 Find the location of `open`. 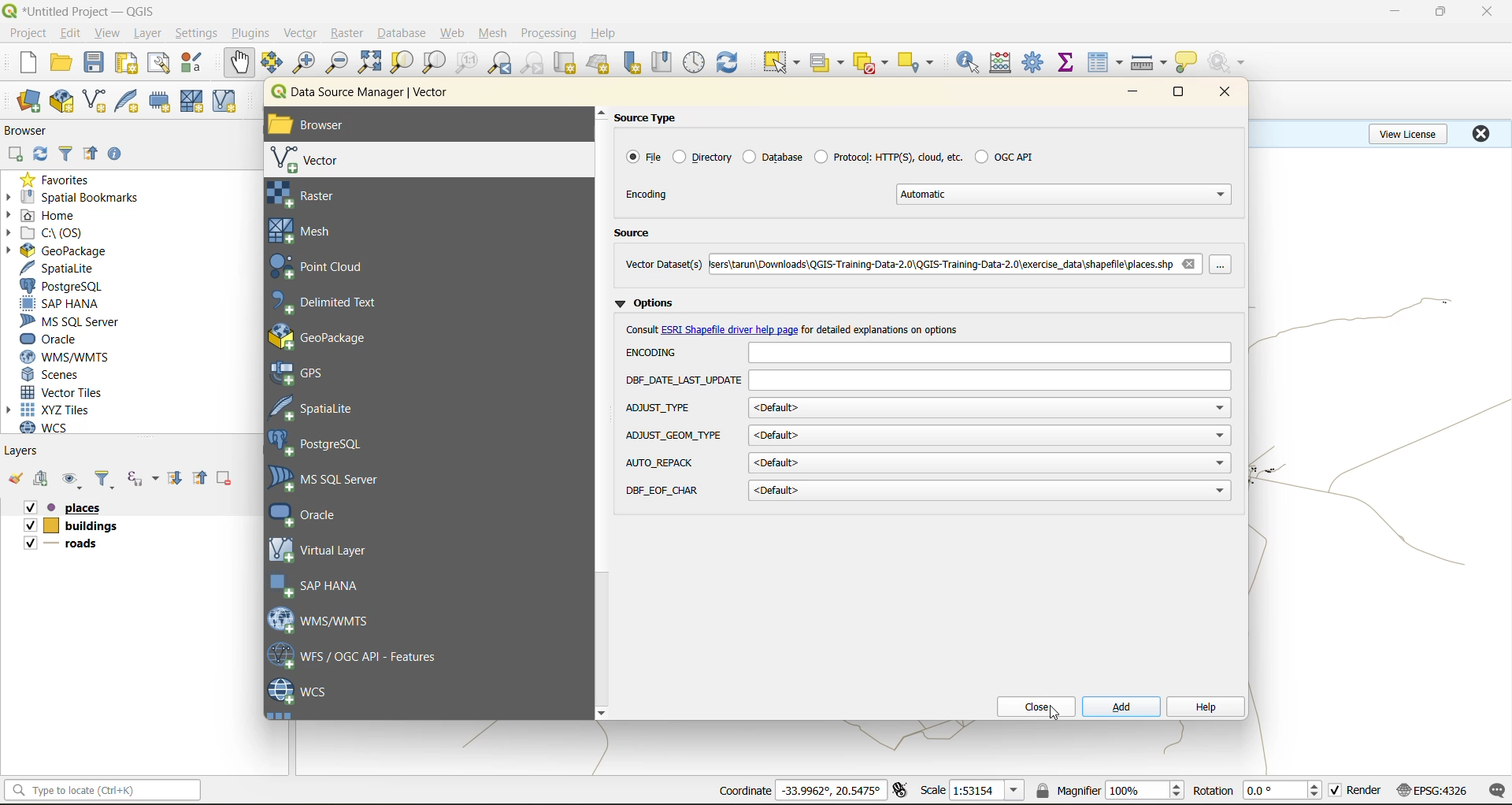

open is located at coordinates (61, 63).